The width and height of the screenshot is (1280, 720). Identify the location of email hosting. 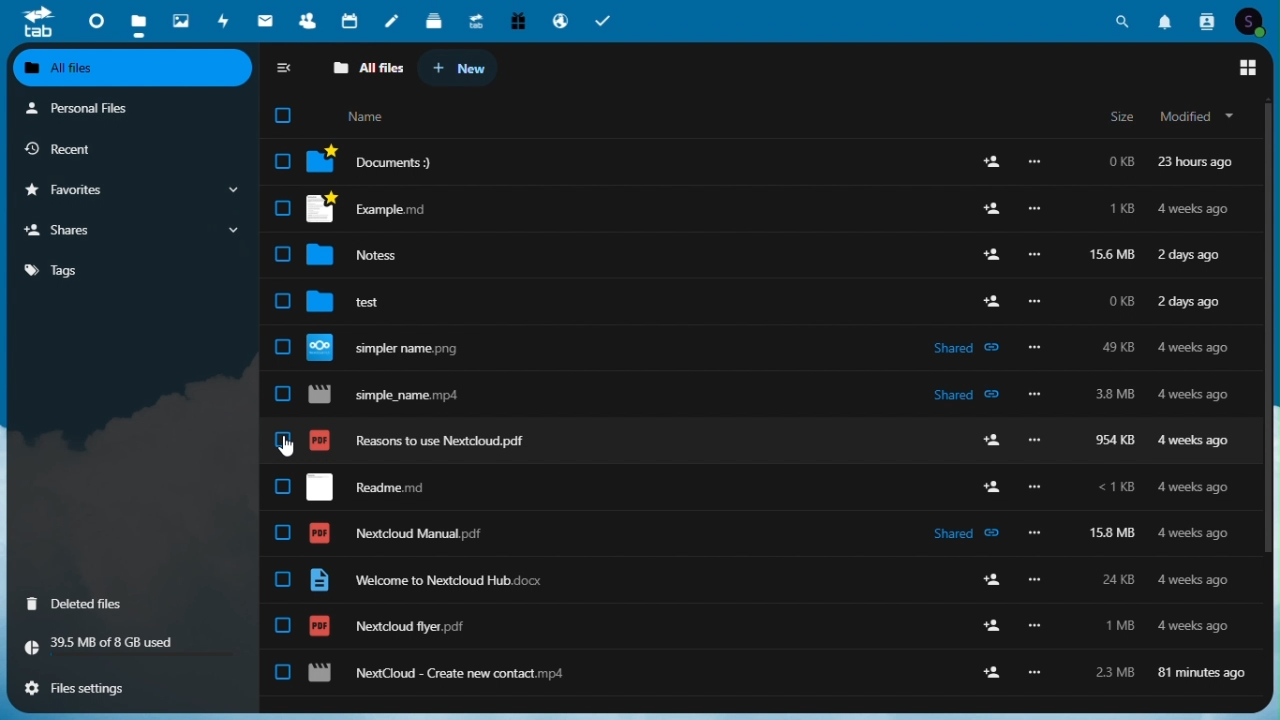
(562, 21).